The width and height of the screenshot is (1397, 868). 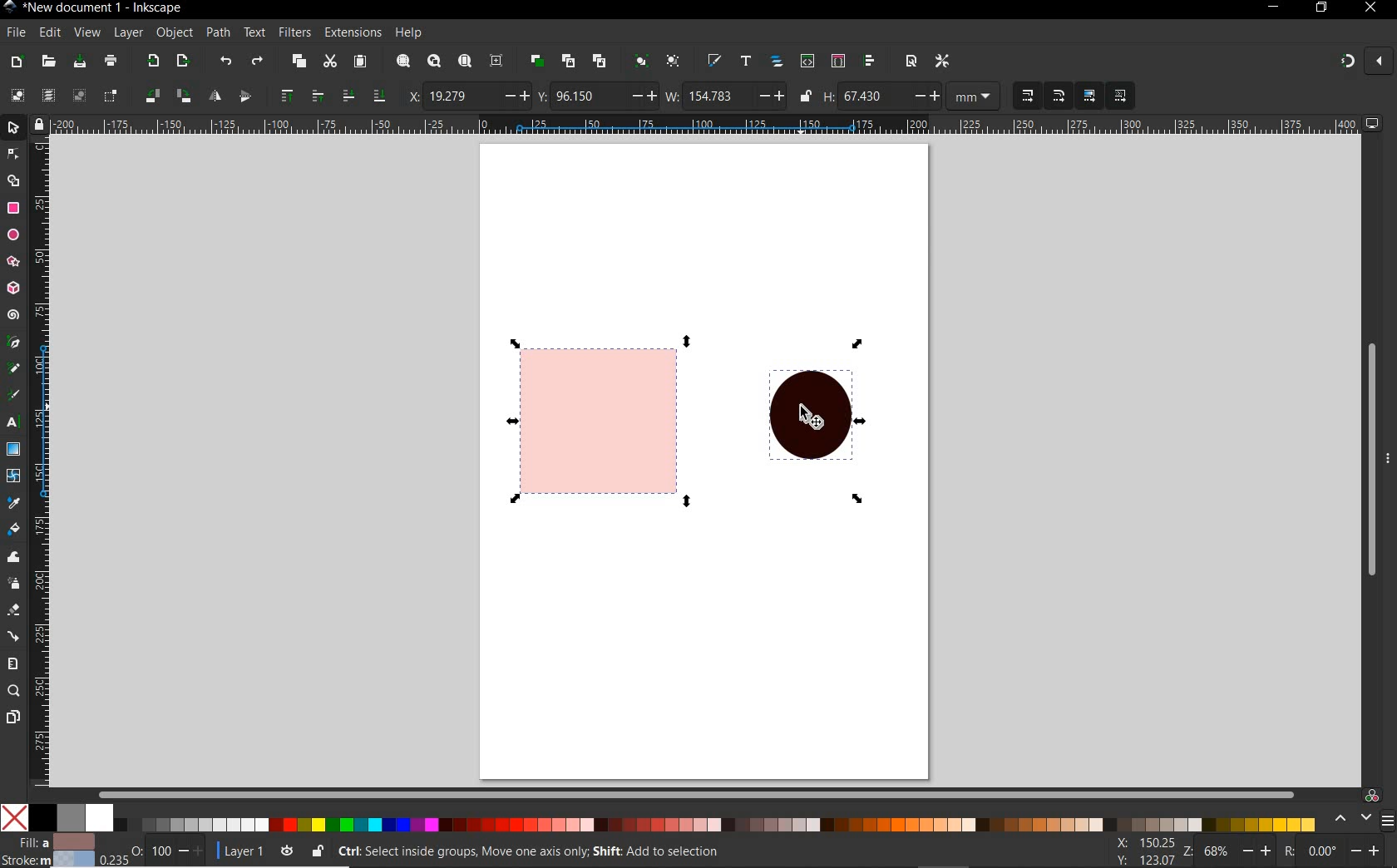 I want to click on filters, so click(x=294, y=33).